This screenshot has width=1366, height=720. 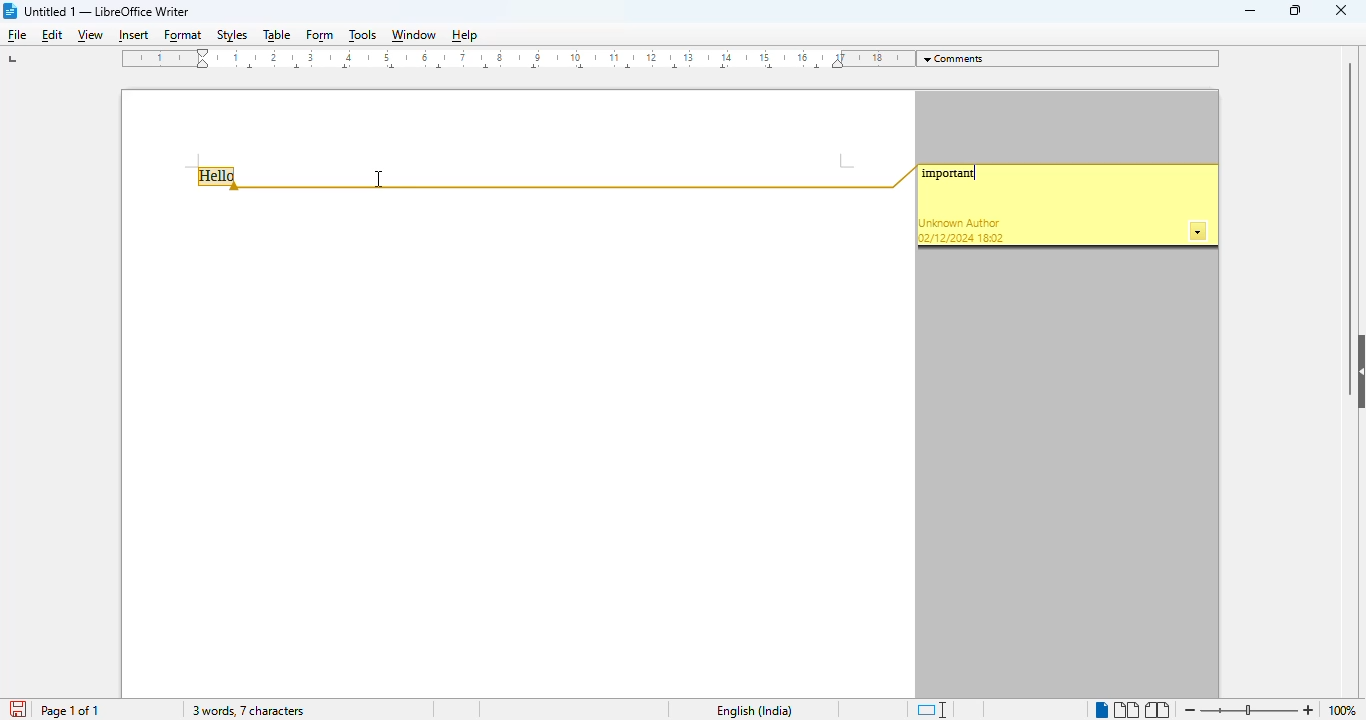 I want to click on multi-page view, so click(x=1127, y=710).